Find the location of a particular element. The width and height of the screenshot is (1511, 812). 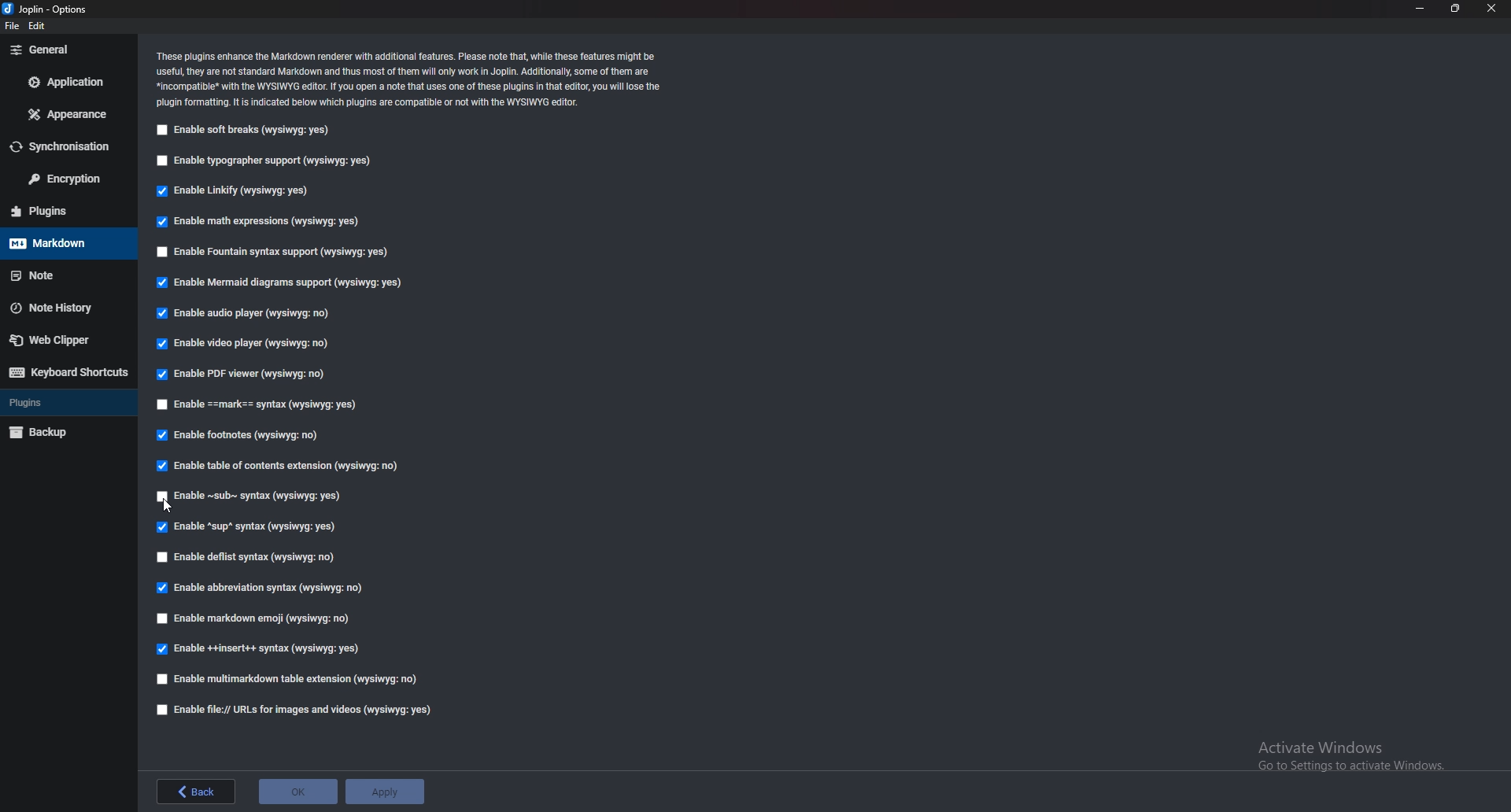

Enable sup syntax is located at coordinates (253, 526).